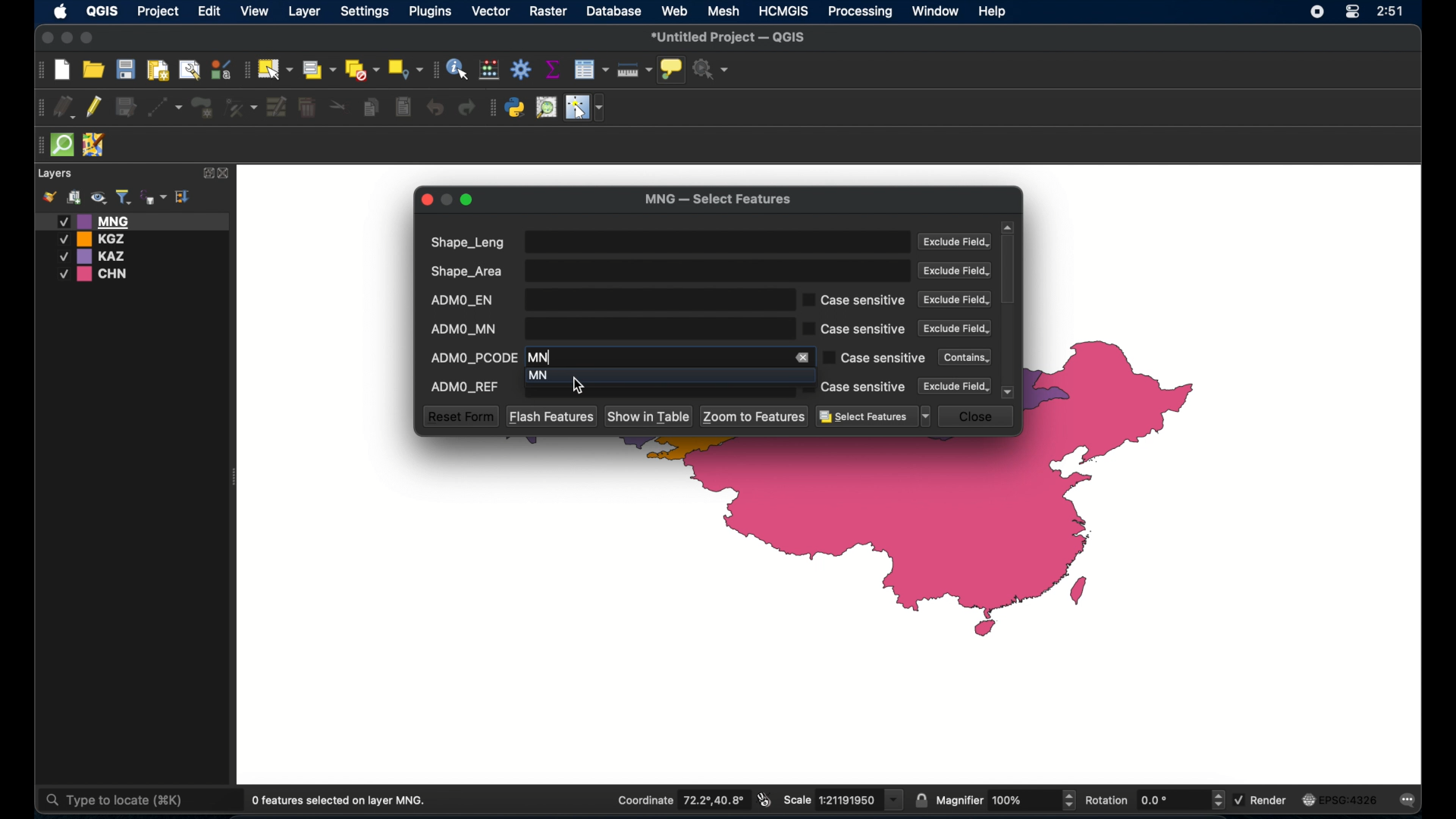  I want to click on scroll box, so click(1010, 271).